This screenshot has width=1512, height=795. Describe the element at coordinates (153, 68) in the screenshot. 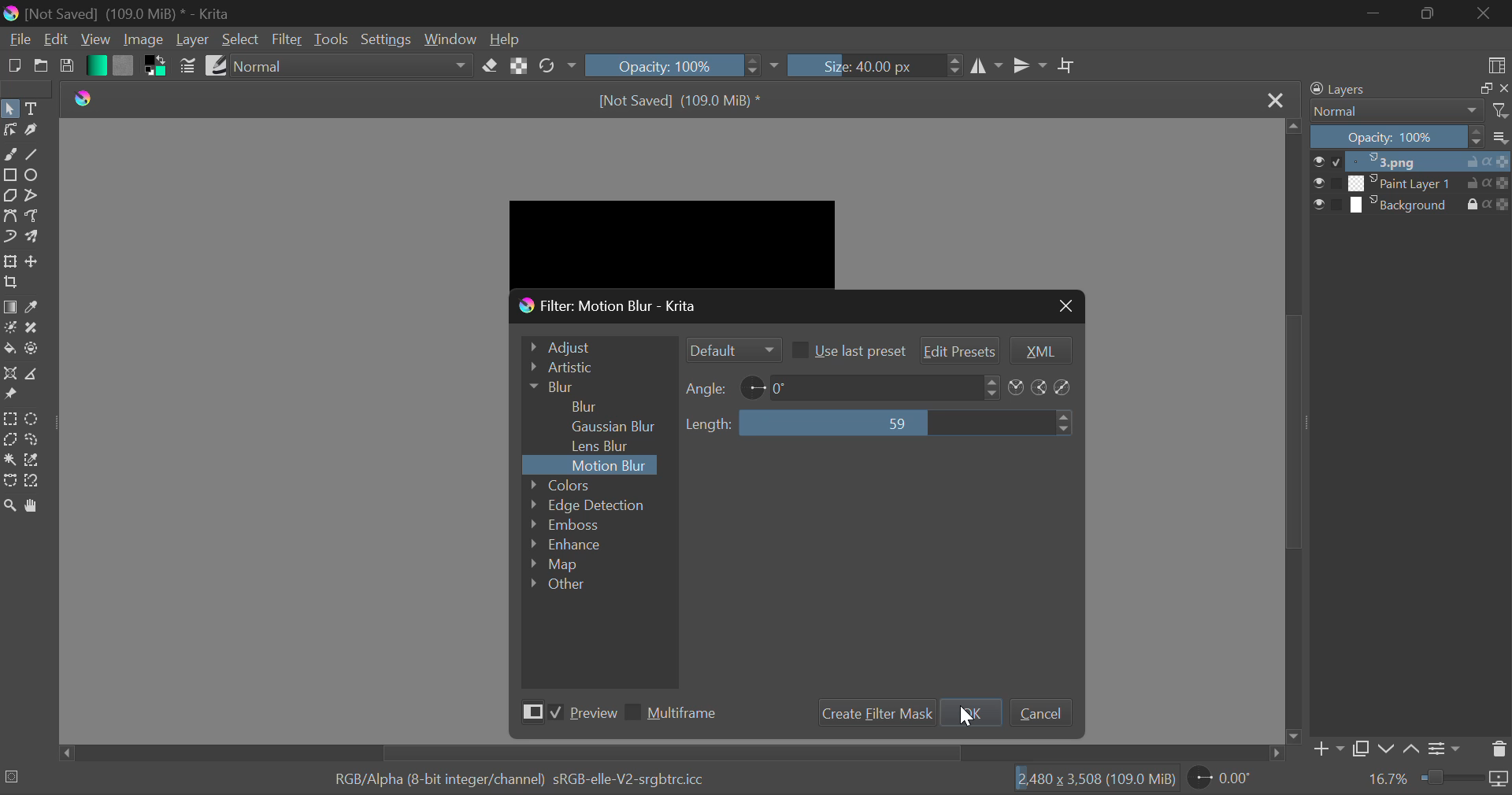

I see `Colors in Use` at that location.